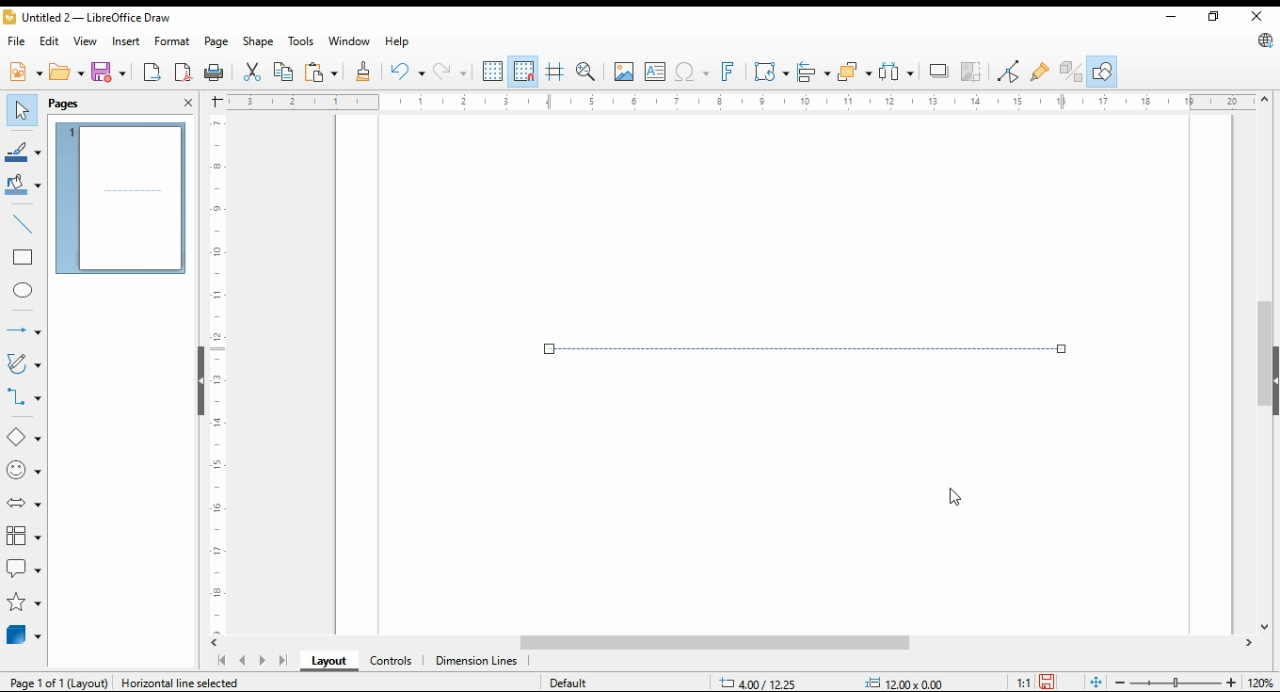 This screenshot has width=1280, height=692. I want to click on format, so click(174, 43).